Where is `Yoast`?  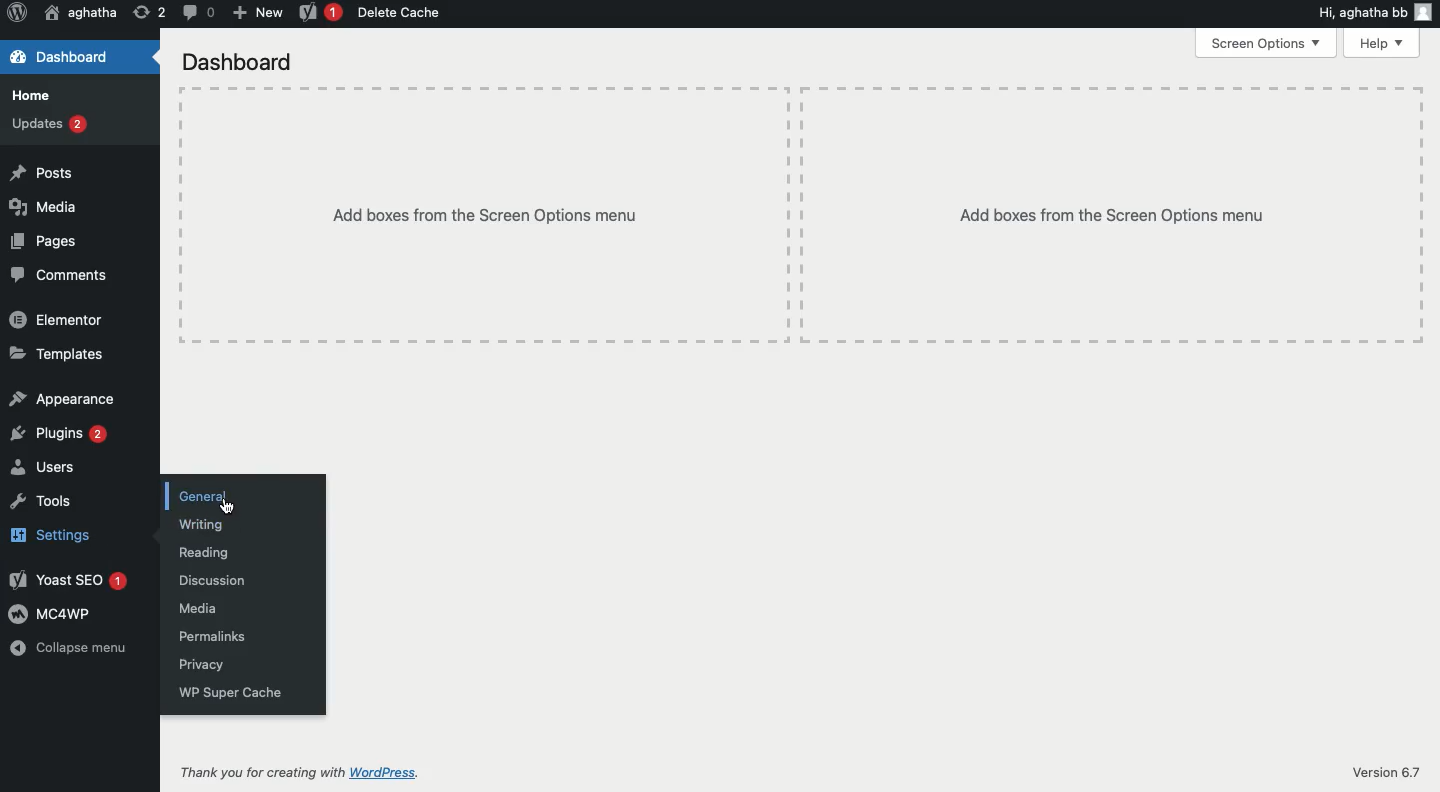
Yoast is located at coordinates (316, 13).